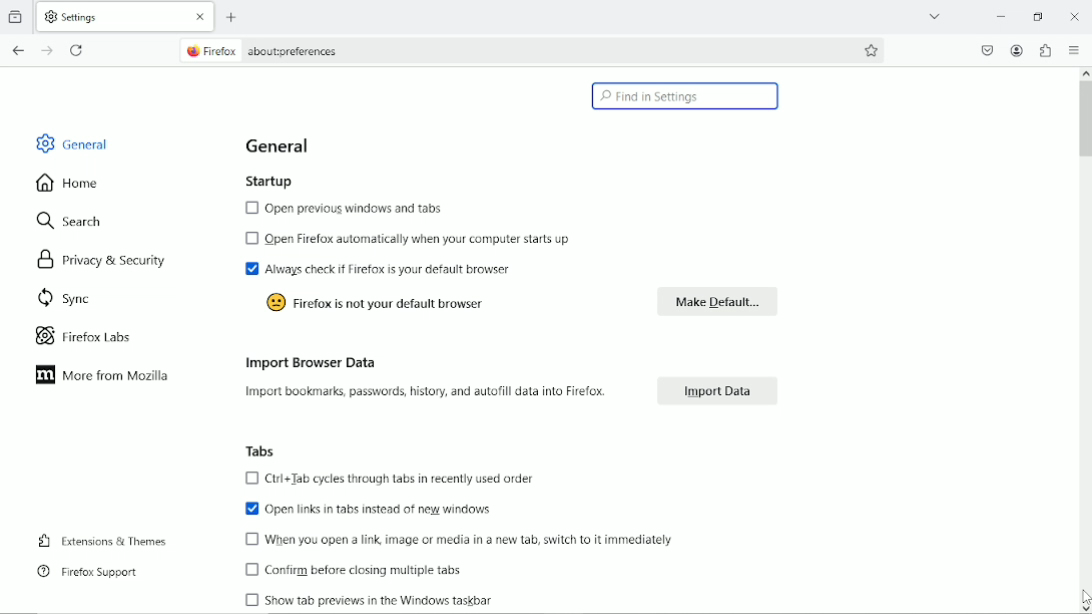 The image size is (1092, 614). What do you see at coordinates (18, 51) in the screenshot?
I see `go back` at bounding box center [18, 51].